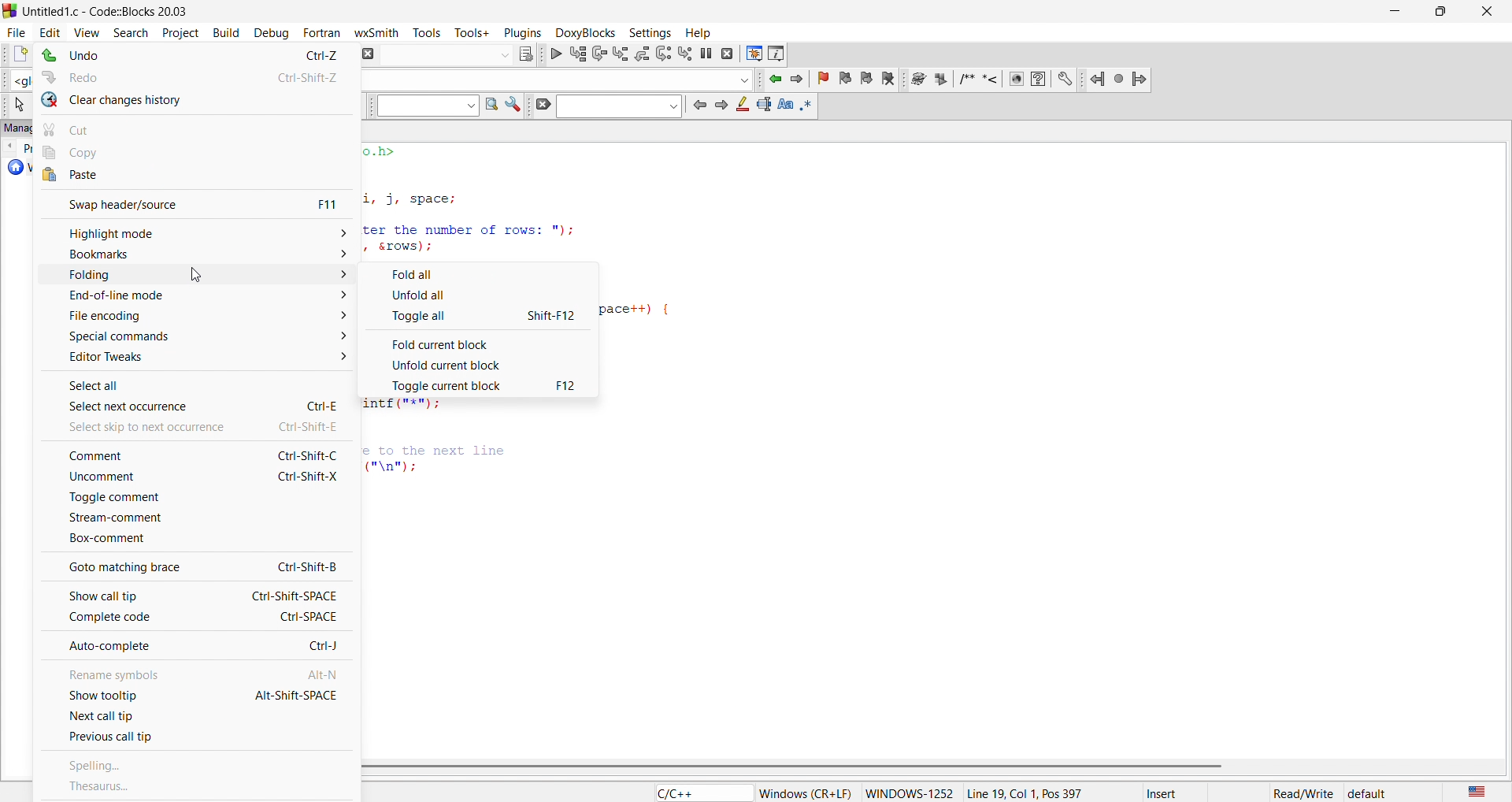  Describe the element at coordinates (1024, 793) in the screenshot. I see `Line 19, col 1, Pos 397` at that location.